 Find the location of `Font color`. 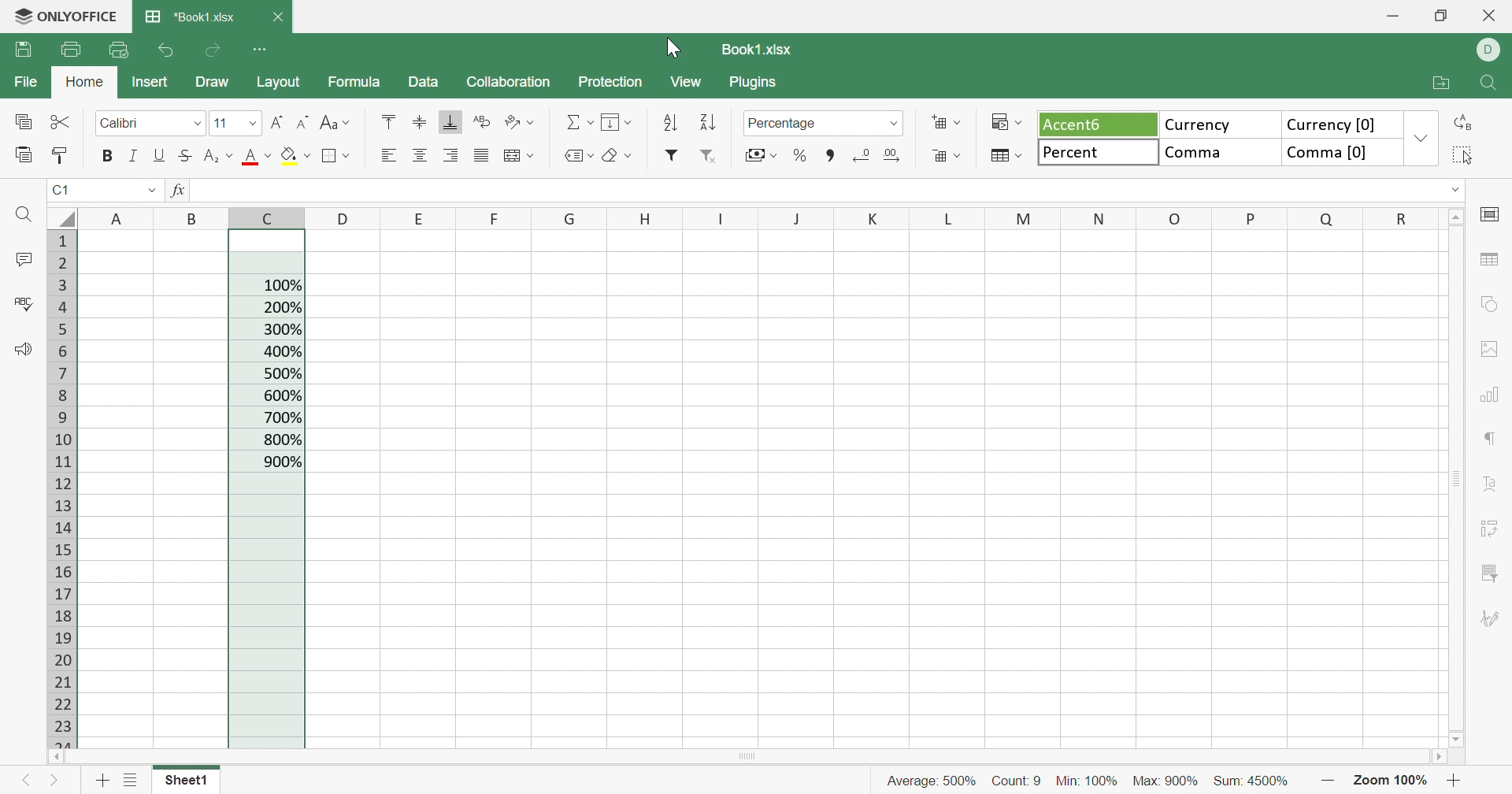

Font color is located at coordinates (257, 155).